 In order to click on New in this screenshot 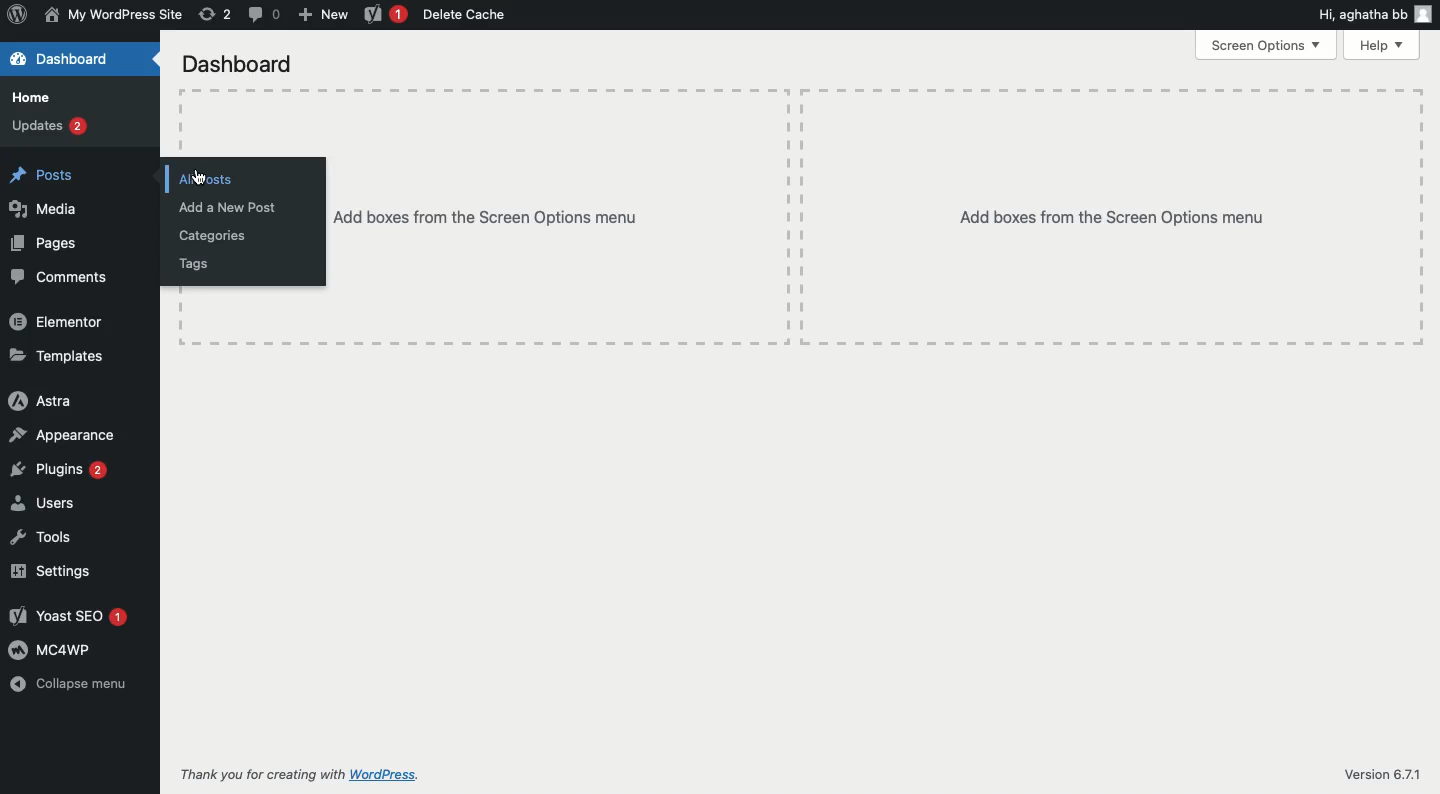, I will do `click(321, 15)`.